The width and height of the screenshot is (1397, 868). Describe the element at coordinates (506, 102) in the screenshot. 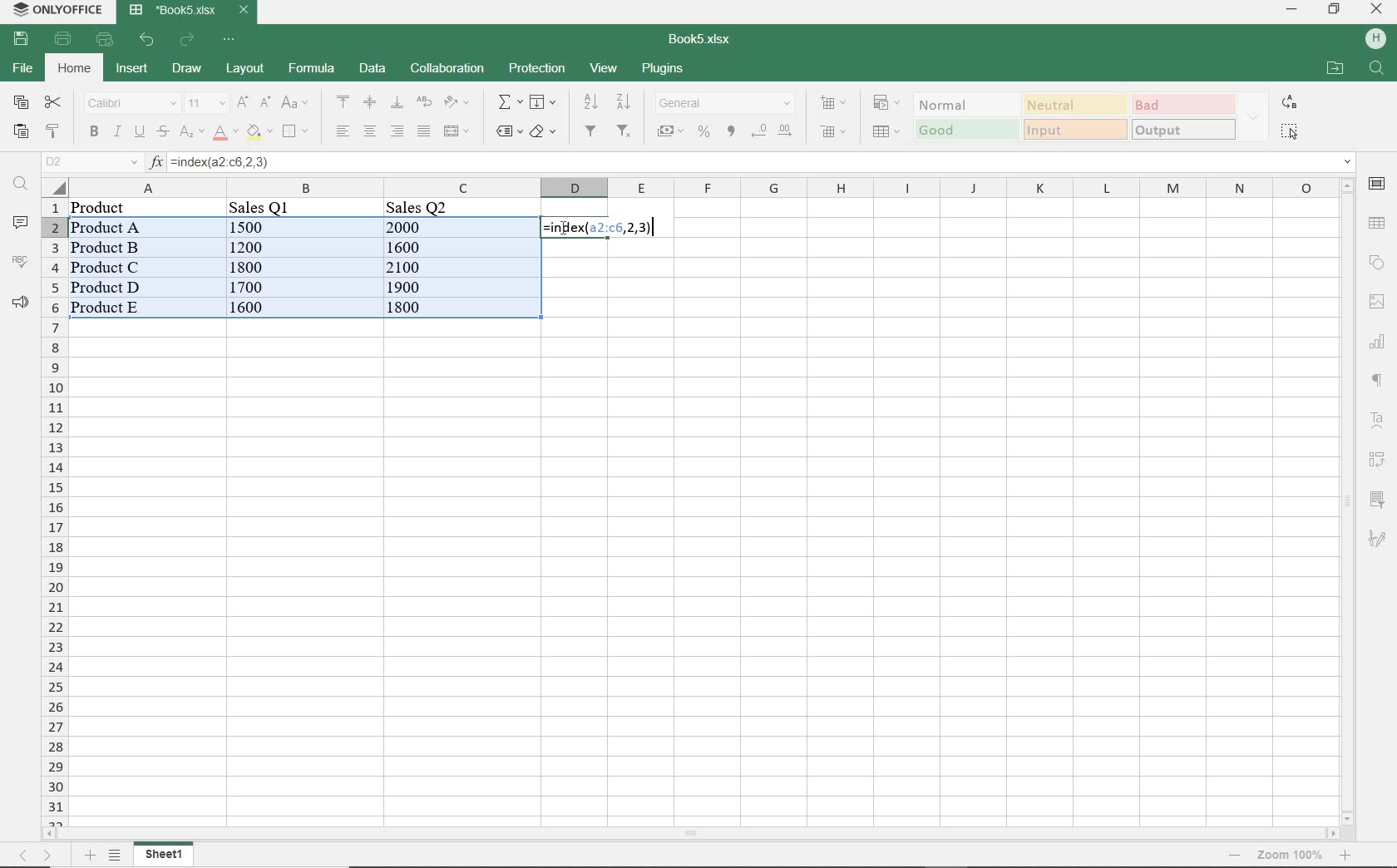

I see `summation` at that location.